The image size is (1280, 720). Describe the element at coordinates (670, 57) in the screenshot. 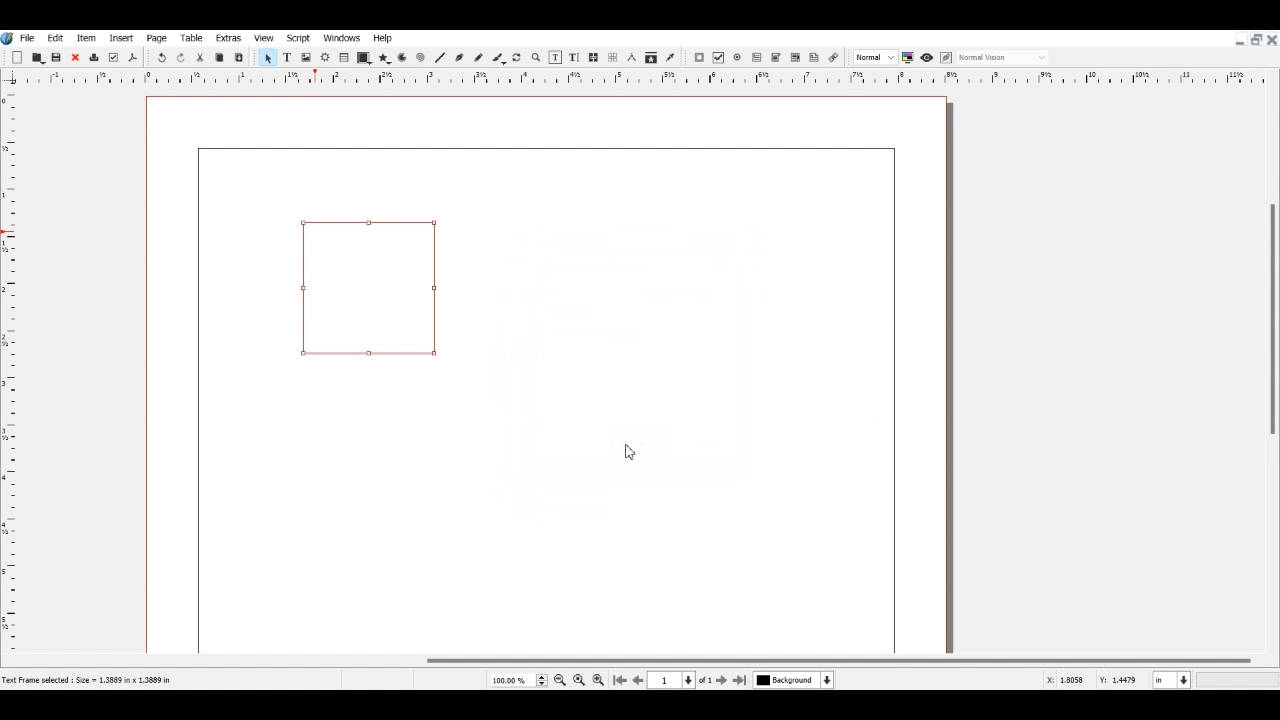

I see `Eye dropper` at that location.